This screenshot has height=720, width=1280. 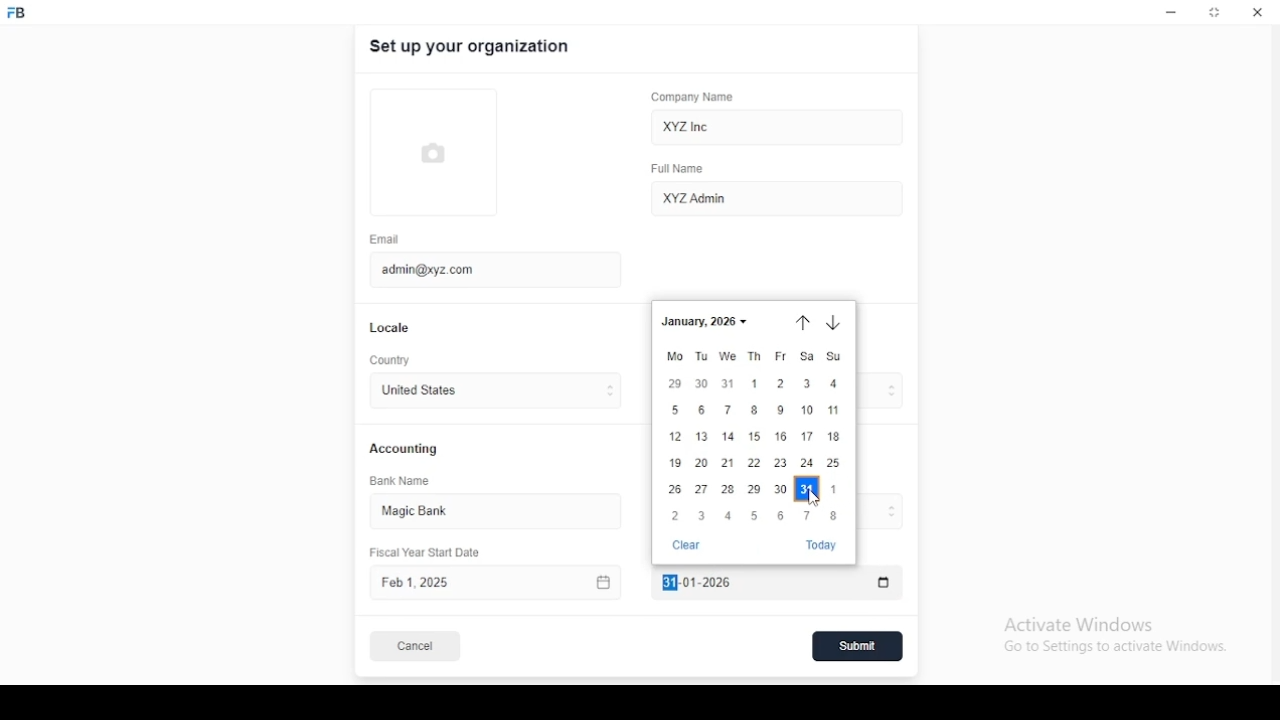 I want to click on sa, so click(x=807, y=356).